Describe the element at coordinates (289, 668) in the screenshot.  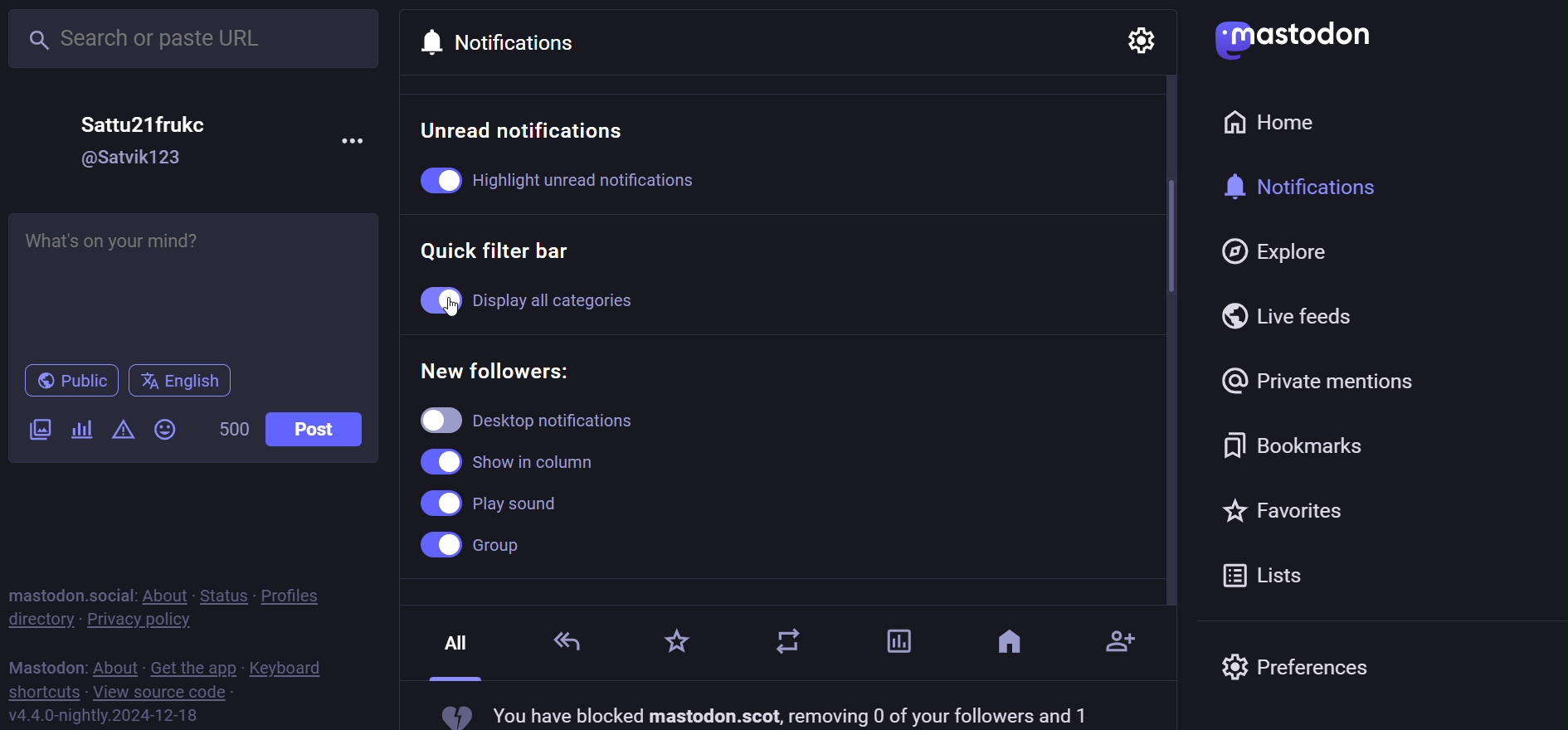
I see `keyboard` at that location.